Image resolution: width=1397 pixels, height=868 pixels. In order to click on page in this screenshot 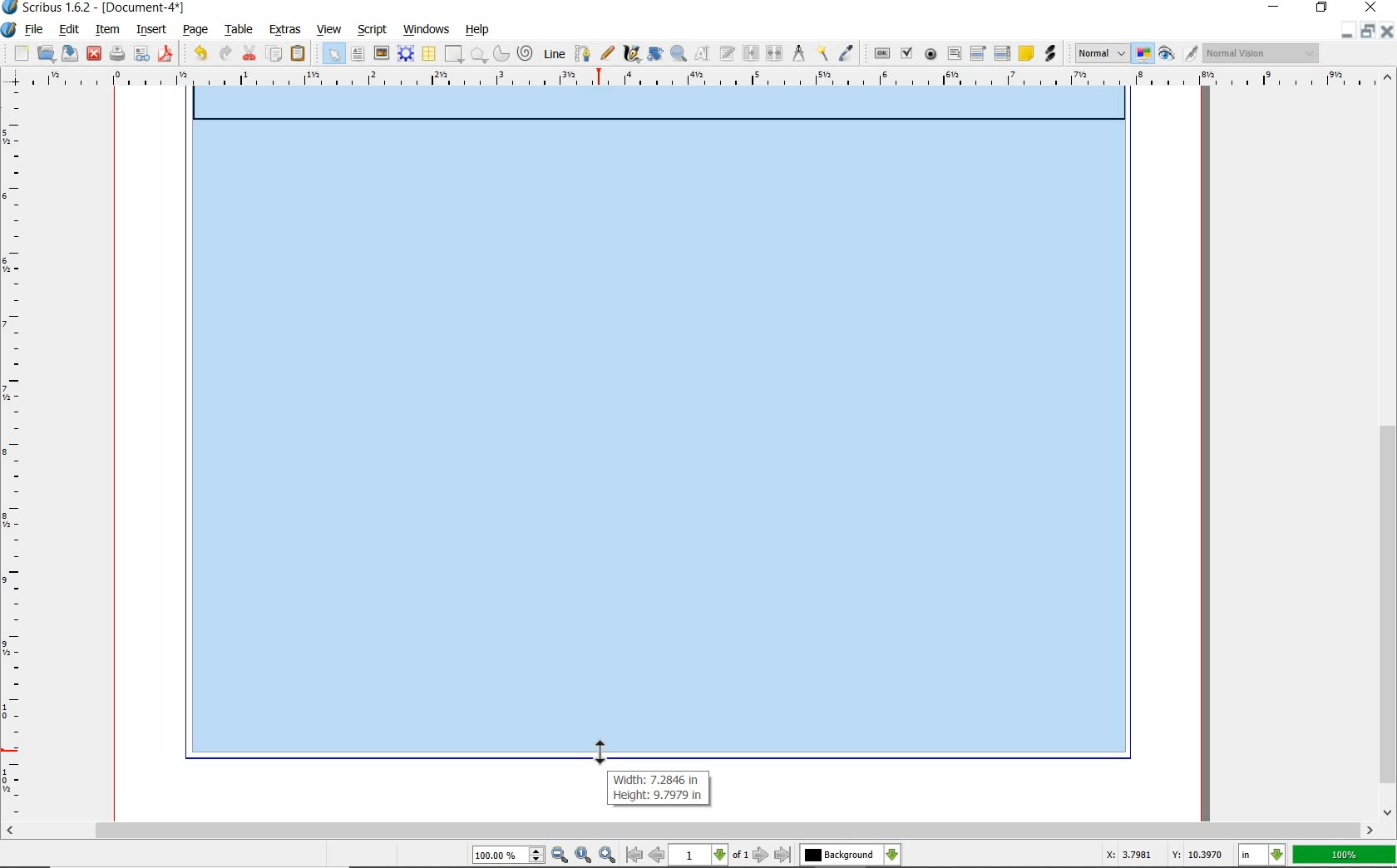, I will do `click(197, 31)`.